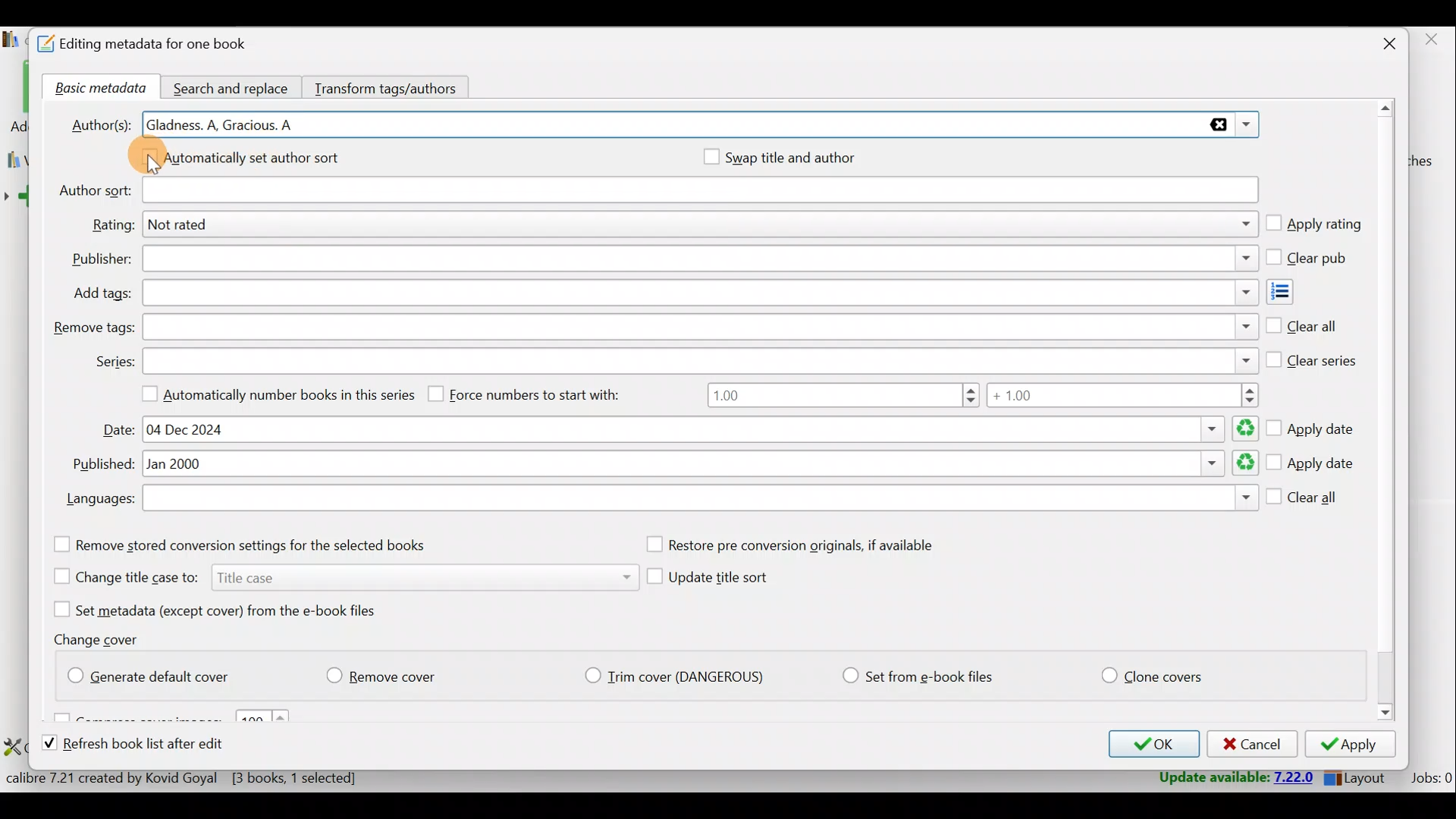 Image resolution: width=1456 pixels, height=819 pixels. I want to click on Layout, so click(1358, 775).